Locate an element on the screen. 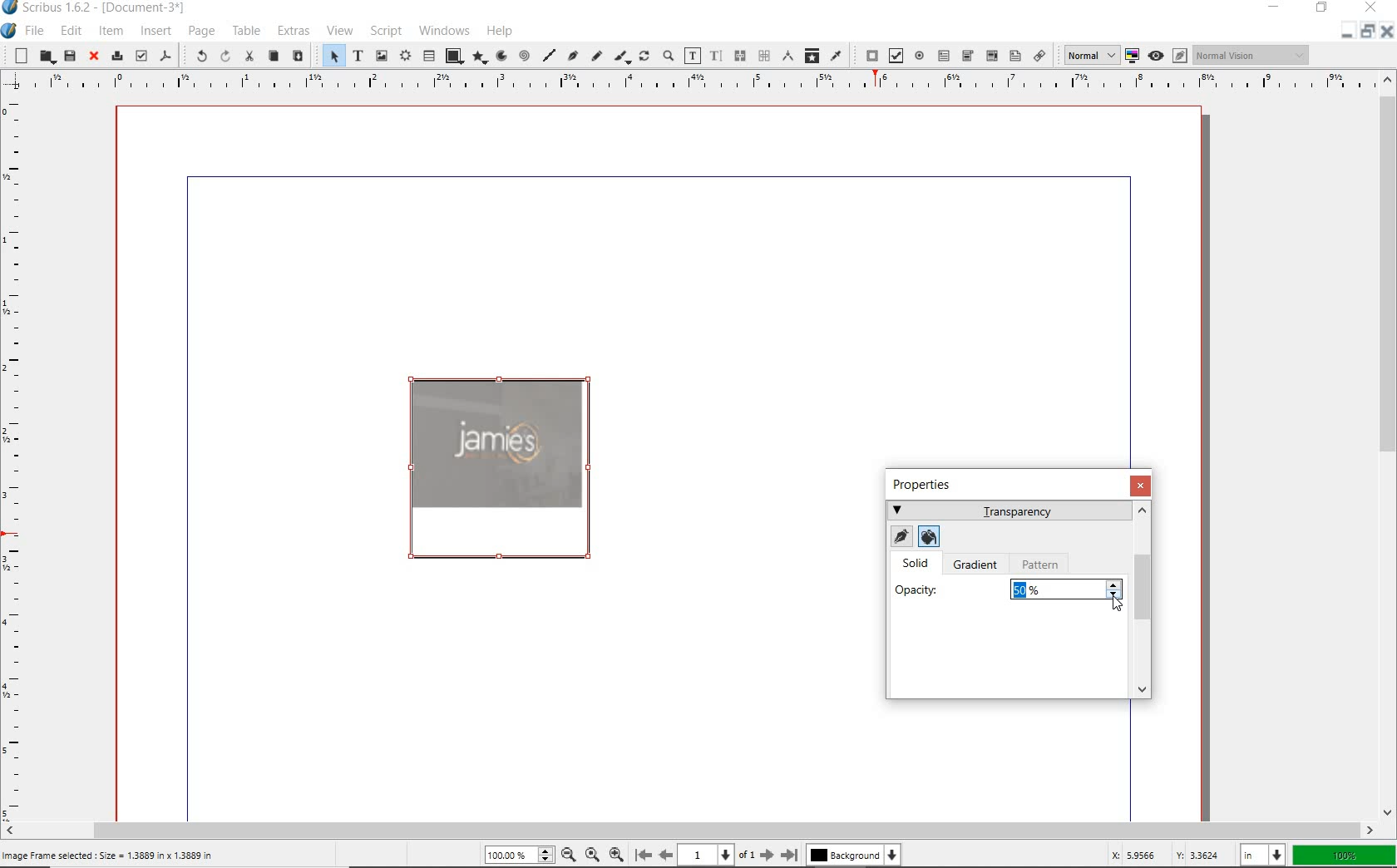  arc is located at coordinates (500, 57).